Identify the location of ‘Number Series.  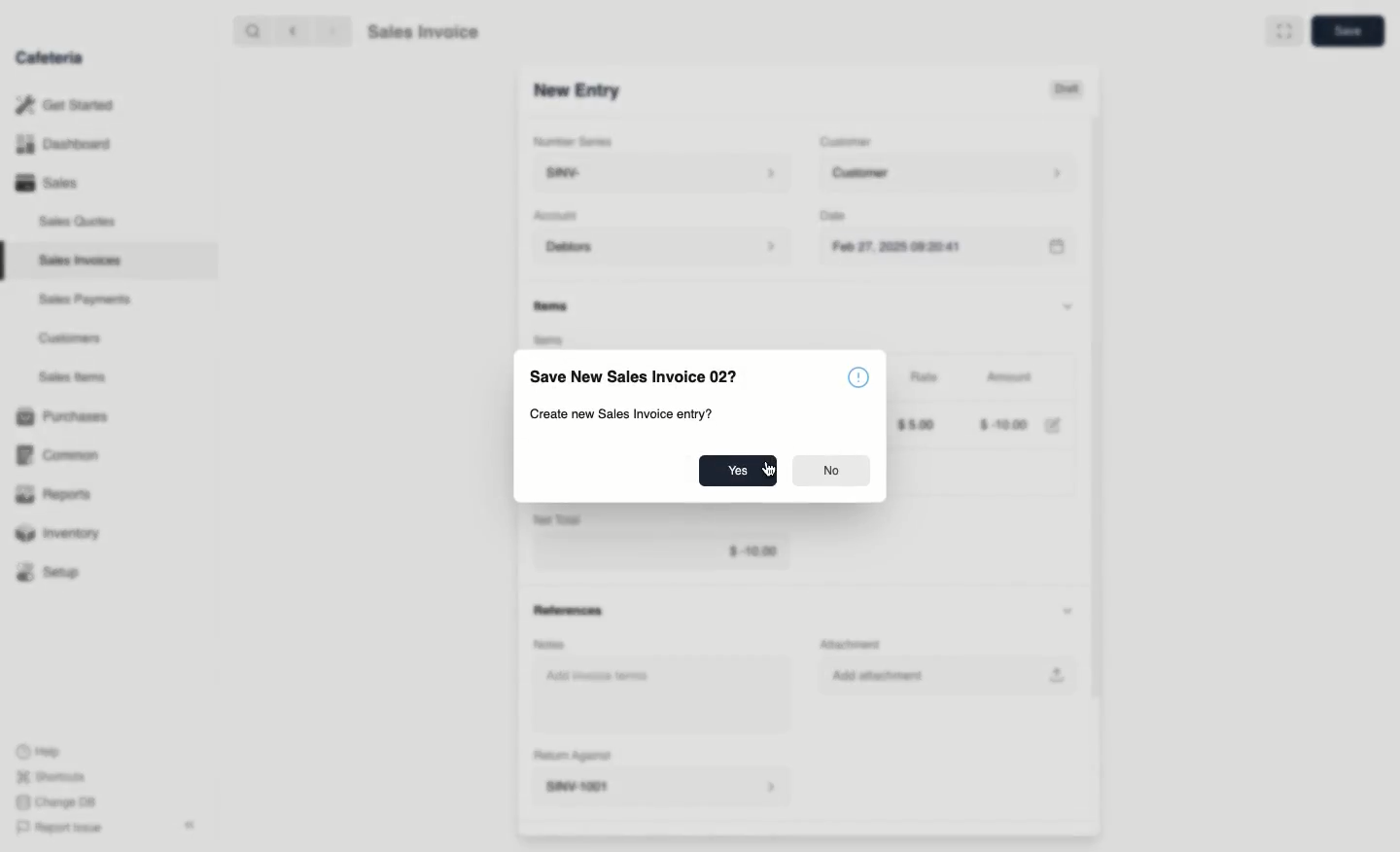
(573, 139).